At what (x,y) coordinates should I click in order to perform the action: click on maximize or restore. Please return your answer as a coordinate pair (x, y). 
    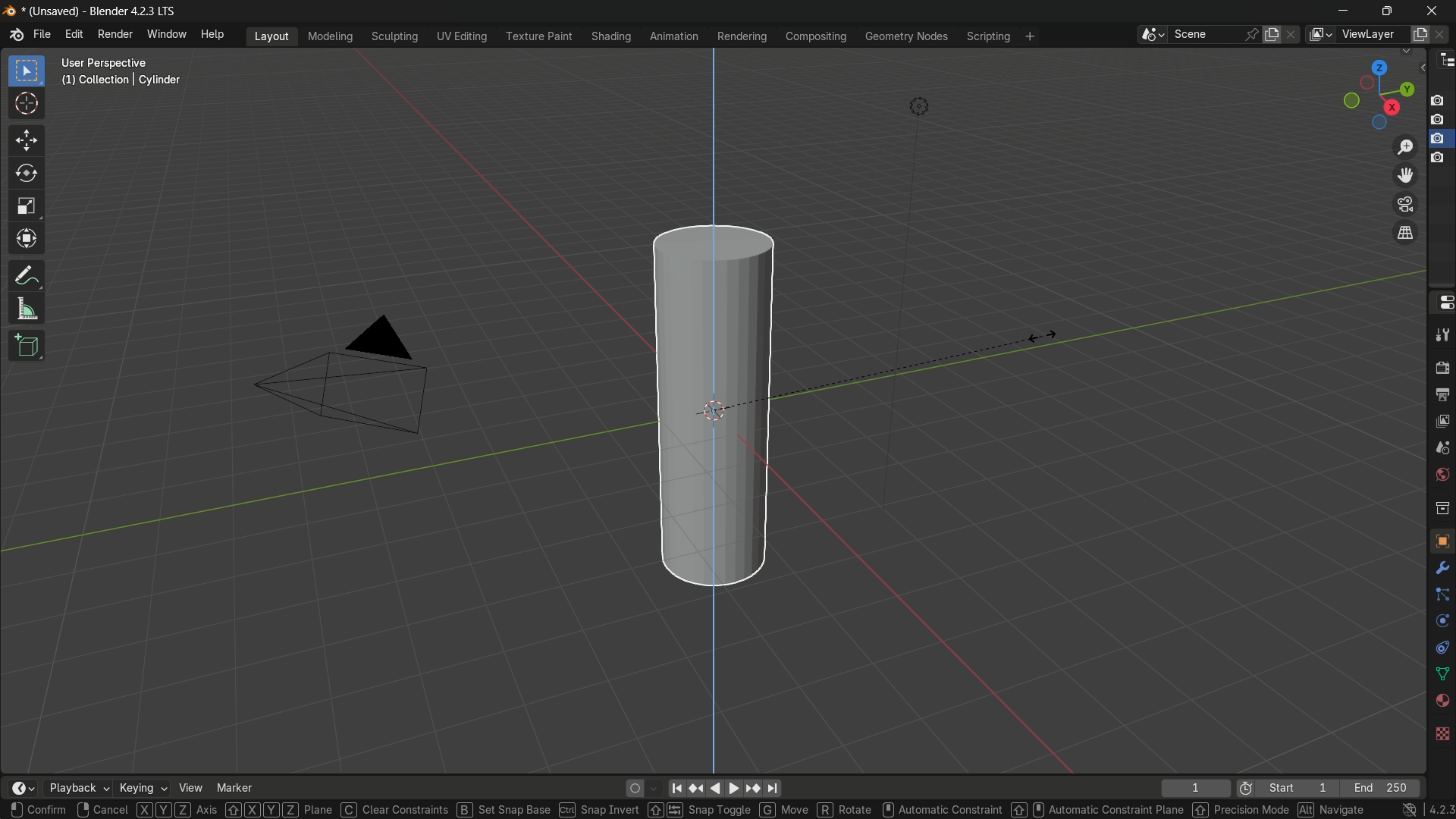
    Looking at the image, I should click on (1389, 10).